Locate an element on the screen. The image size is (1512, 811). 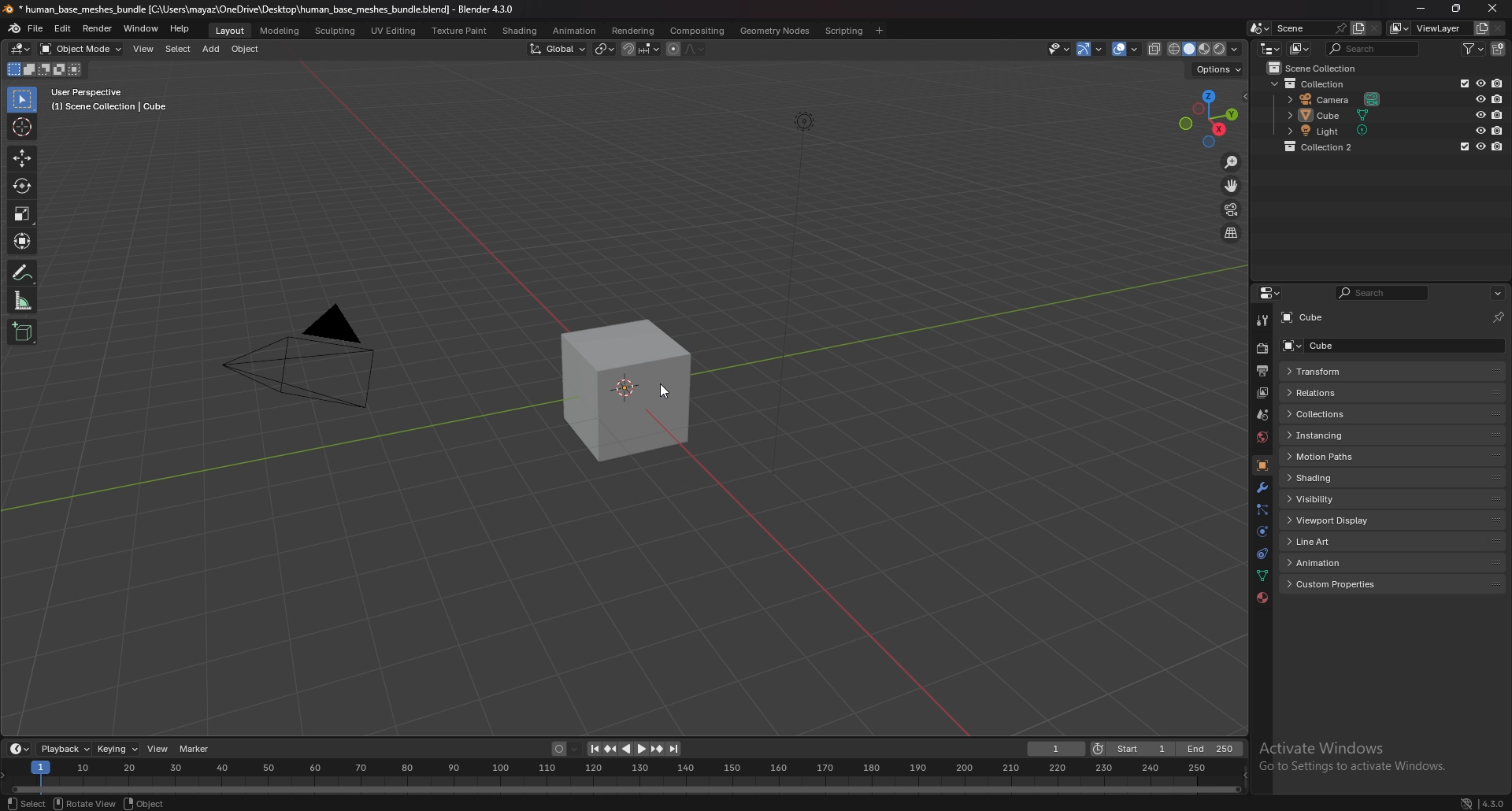
collection is located at coordinates (1315, 83).